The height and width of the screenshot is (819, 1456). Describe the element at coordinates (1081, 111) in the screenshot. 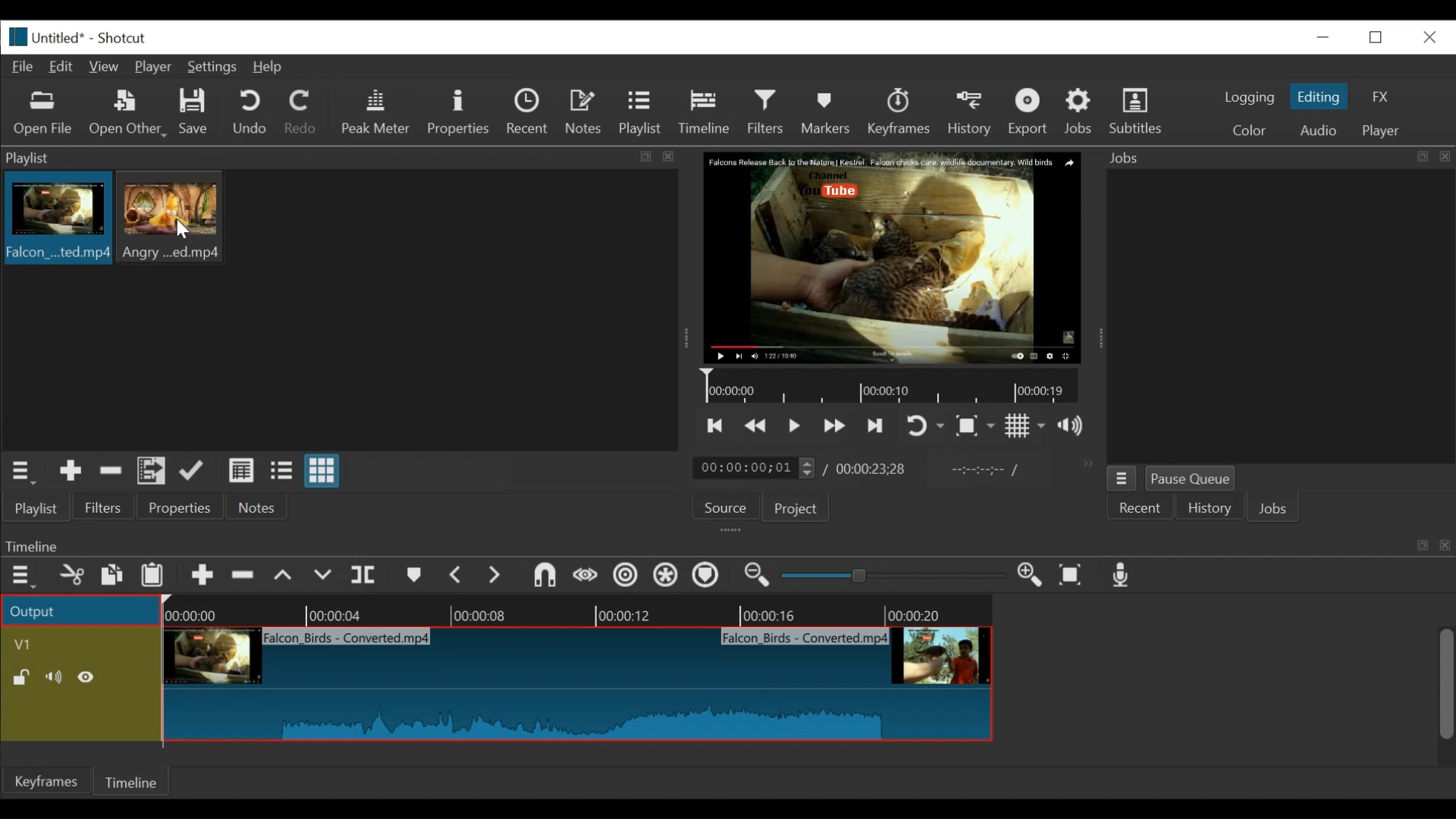

I see `Jobs` at that location.